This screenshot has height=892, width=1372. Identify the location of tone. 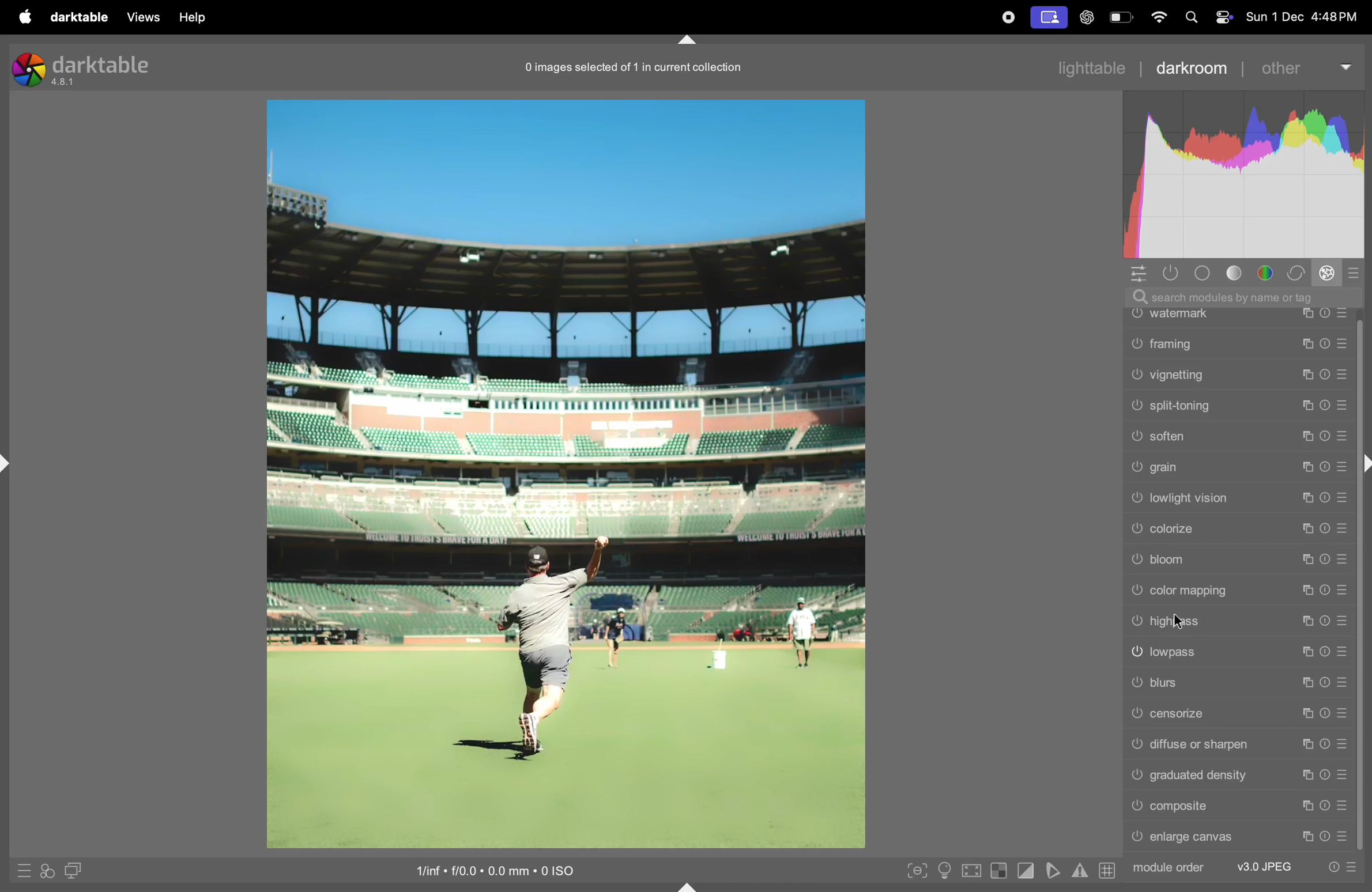
(1239, 273).